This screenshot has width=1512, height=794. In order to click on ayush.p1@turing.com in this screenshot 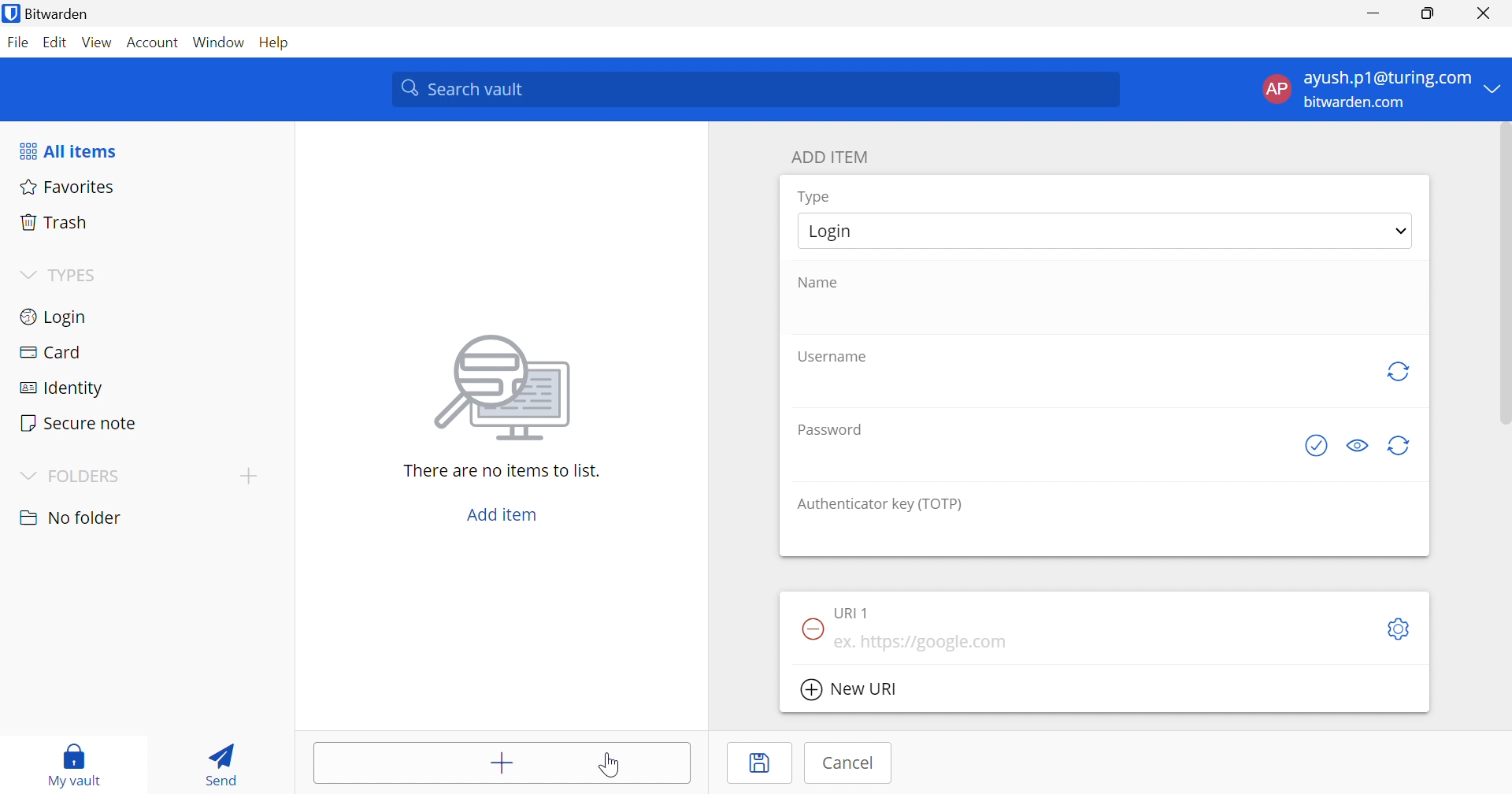, I will do `click(1390, 80)`.